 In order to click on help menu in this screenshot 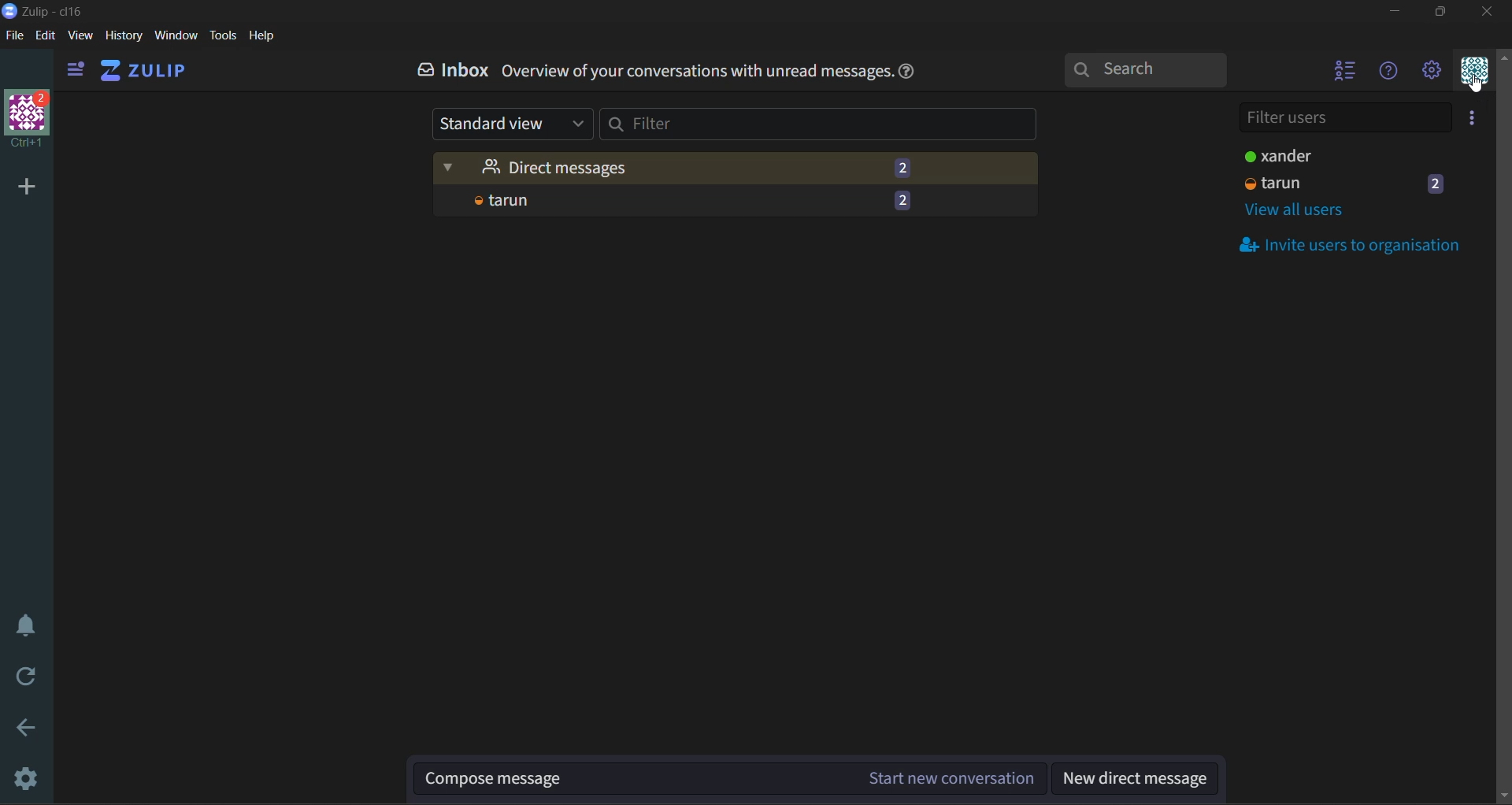, I will do `click(1392, 75)`.